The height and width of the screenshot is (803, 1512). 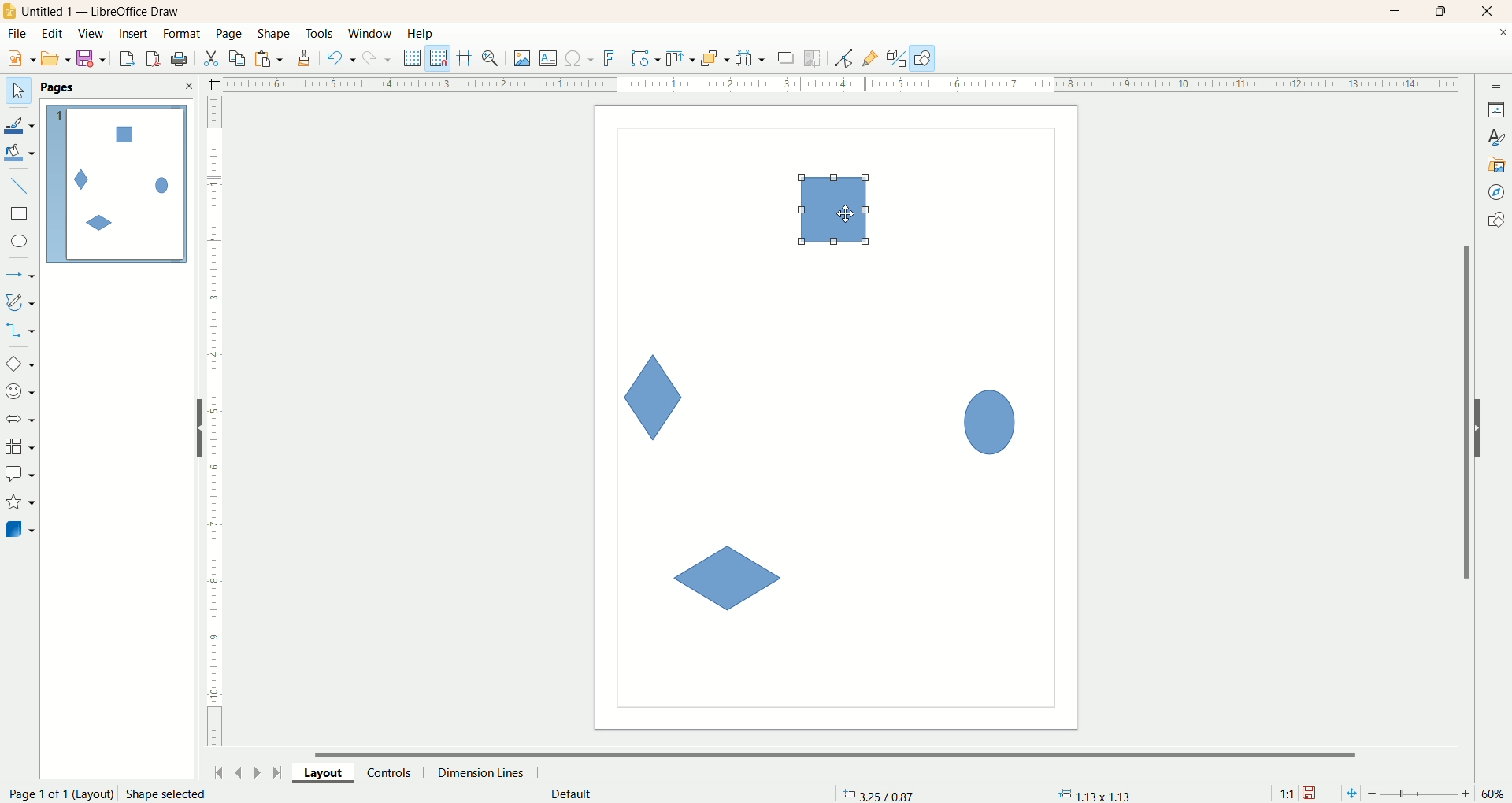 I want to click on page number, so click(x=57, y=794).